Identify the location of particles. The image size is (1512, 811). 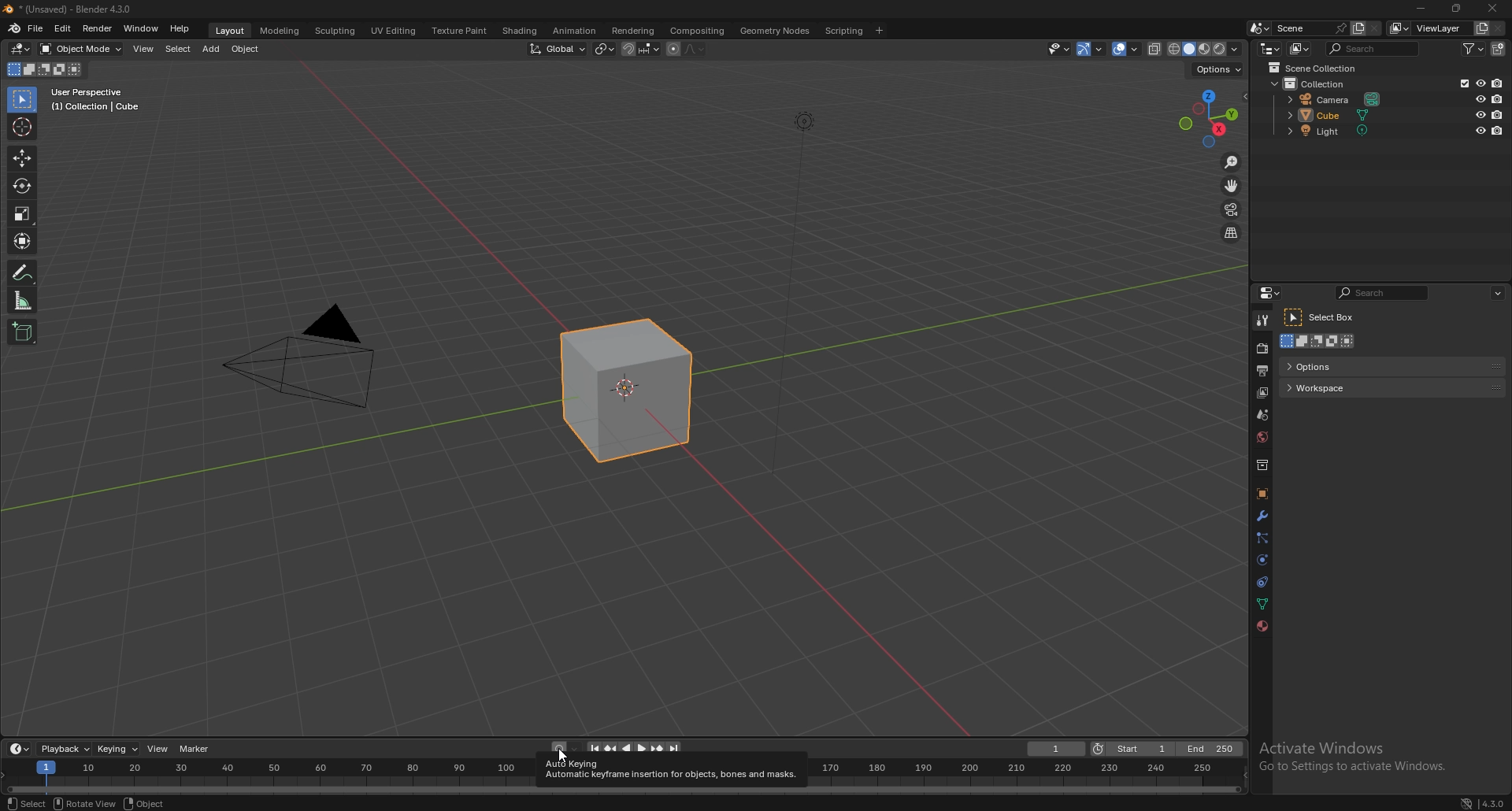
(1262, 539).